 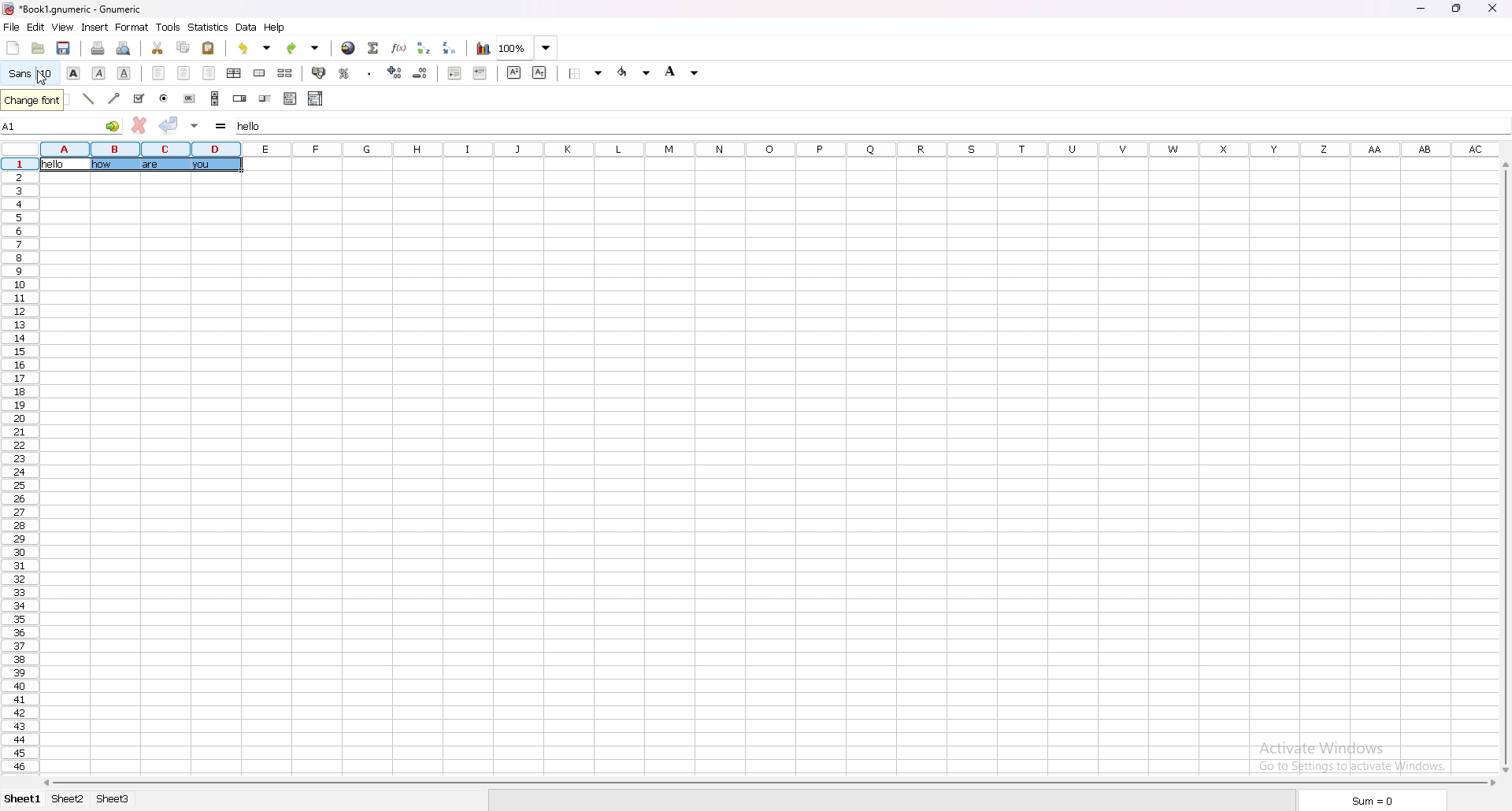 What do you see at coordinates (190, 98) in the screenshot?
I see `button` at bounding box center [190, 98].